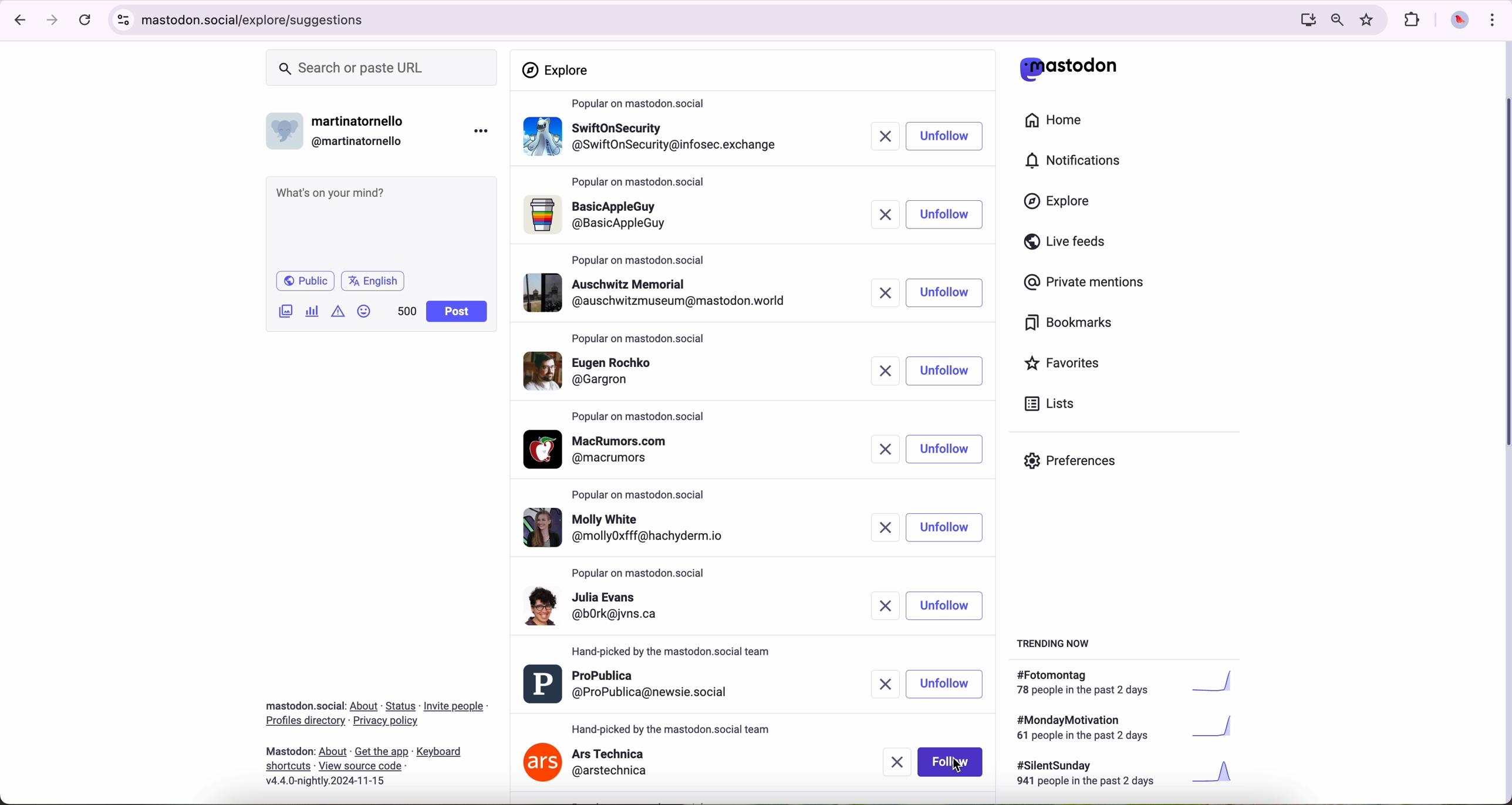 The image size is (1512, 805). Describe the element at coordinates (406, 311) in the screenshot. I see `500 characters` at that location.